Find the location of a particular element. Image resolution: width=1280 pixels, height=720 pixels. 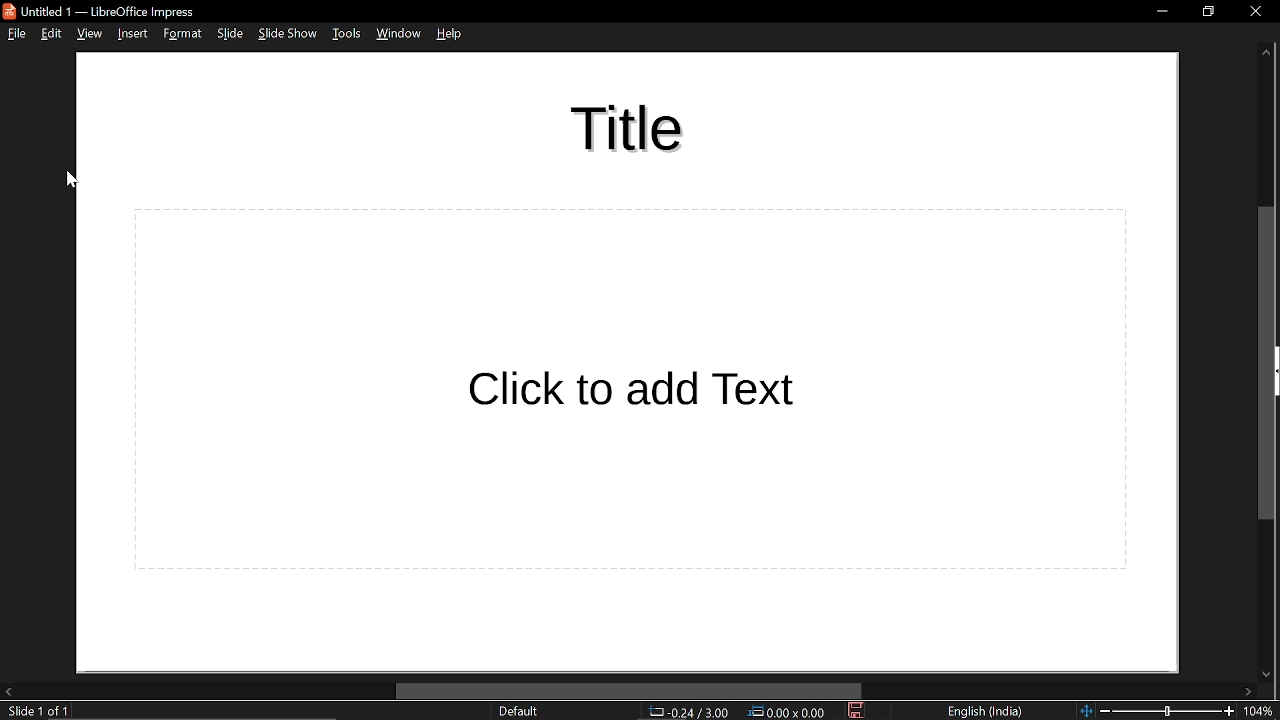

move left is located at coordinates (8, 692).